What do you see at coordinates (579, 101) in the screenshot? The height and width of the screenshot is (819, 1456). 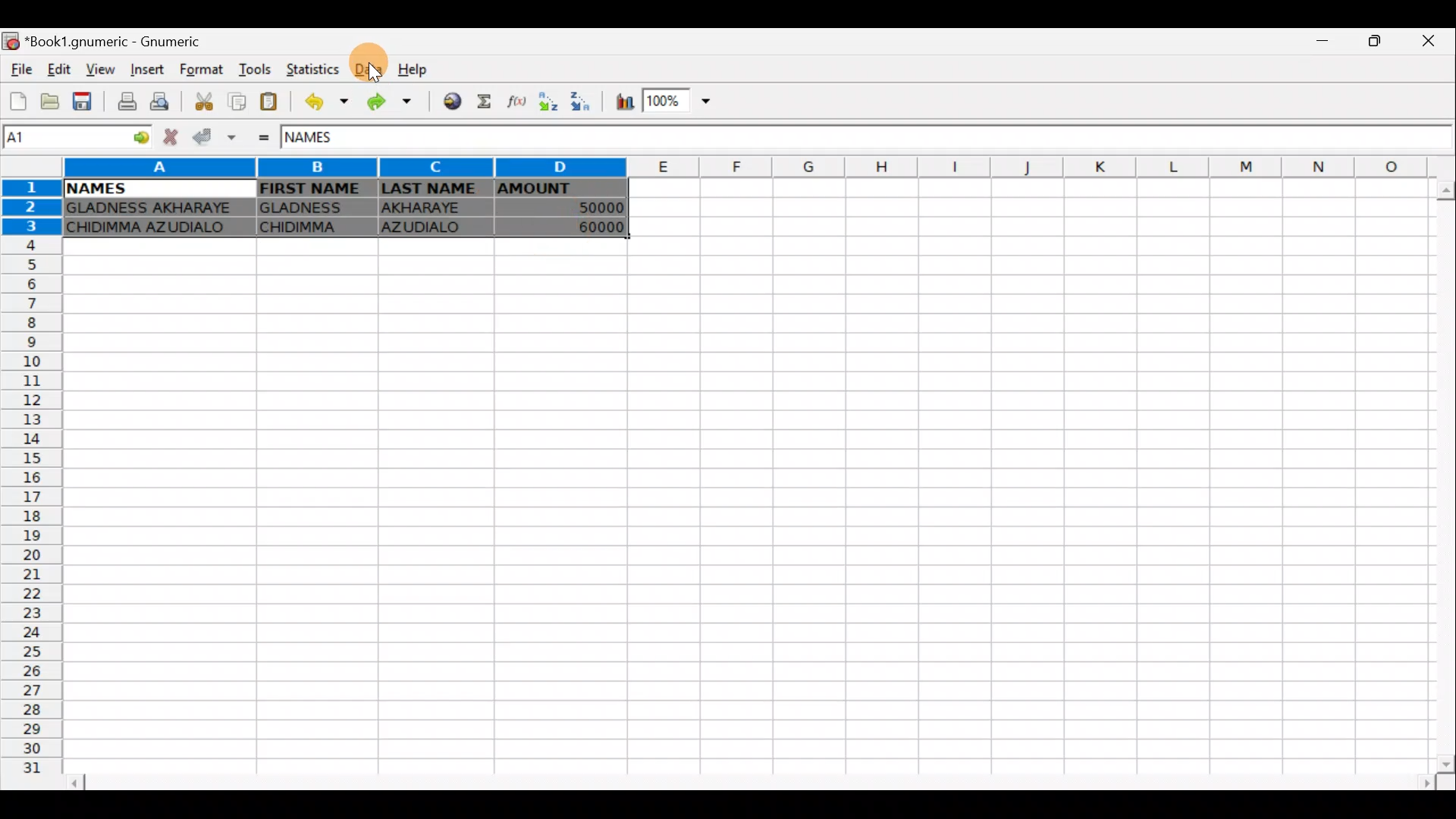 I see `Sort Descending order` at bounding box center [579, 101].